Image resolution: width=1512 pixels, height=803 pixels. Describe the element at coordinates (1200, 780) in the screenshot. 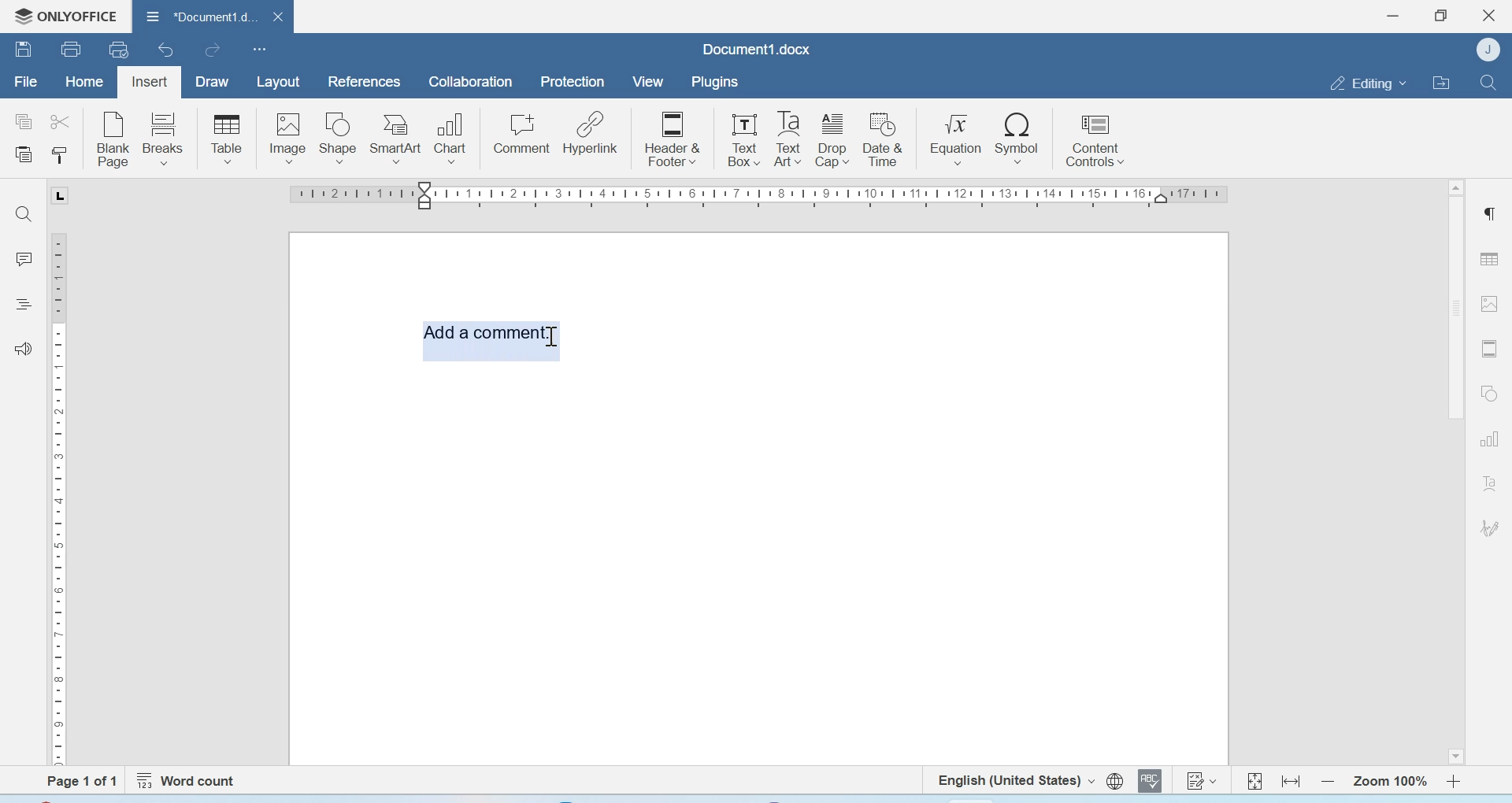

I see `Track changes` at that location.